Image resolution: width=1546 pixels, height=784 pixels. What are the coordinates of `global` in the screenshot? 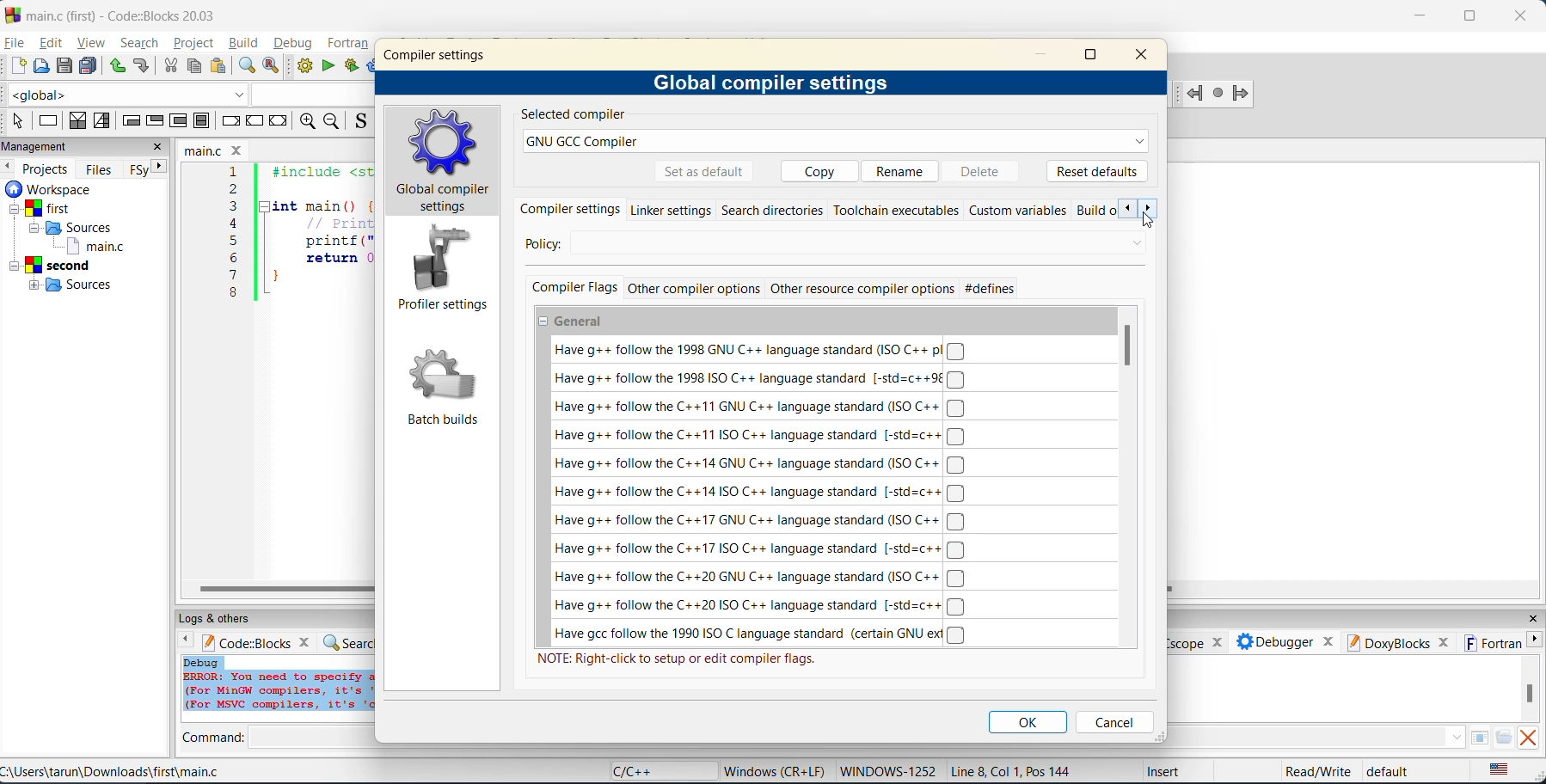 It's located at (129, 95).